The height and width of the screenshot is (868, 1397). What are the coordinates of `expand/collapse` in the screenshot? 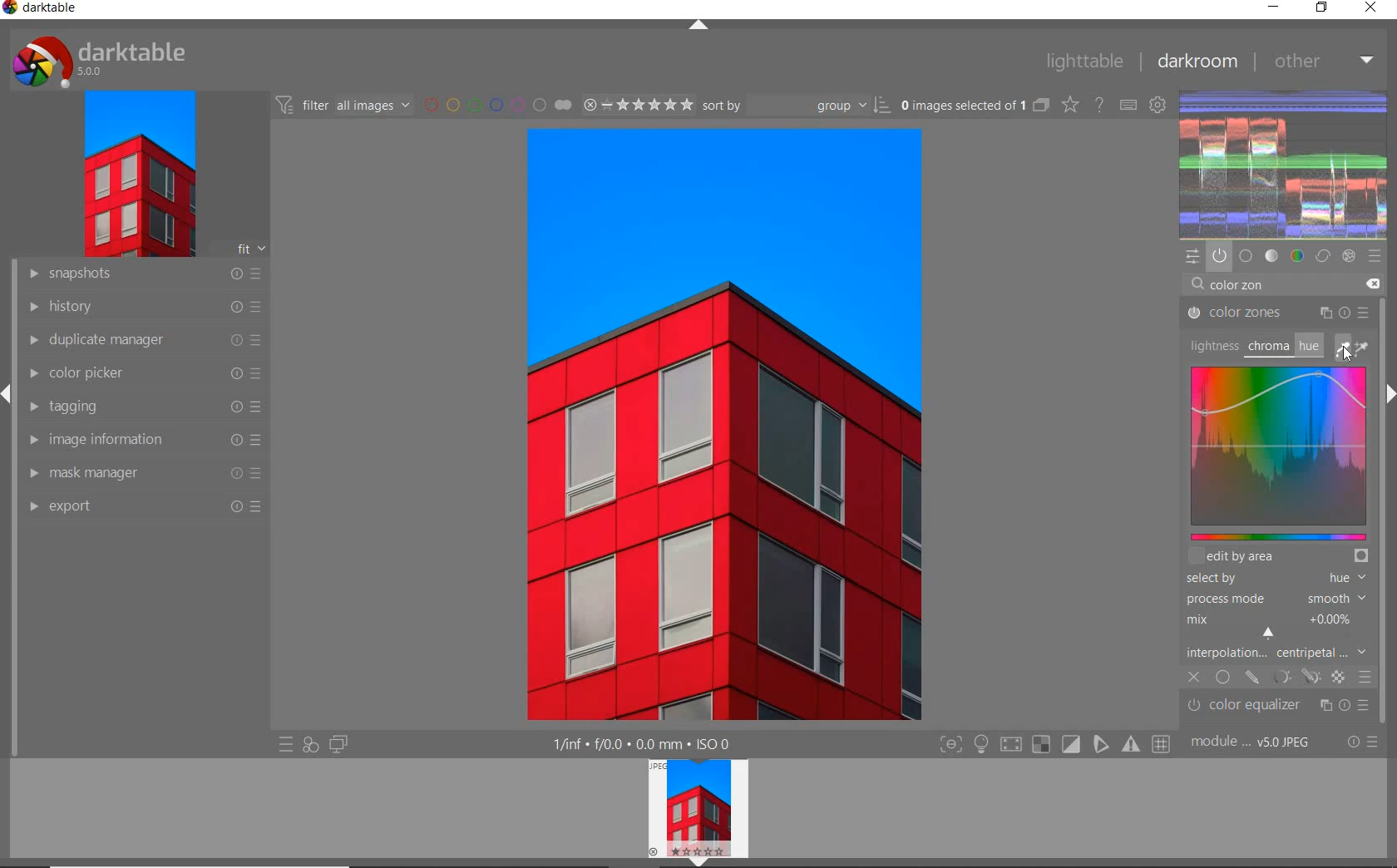 It's located at (1389, 392).